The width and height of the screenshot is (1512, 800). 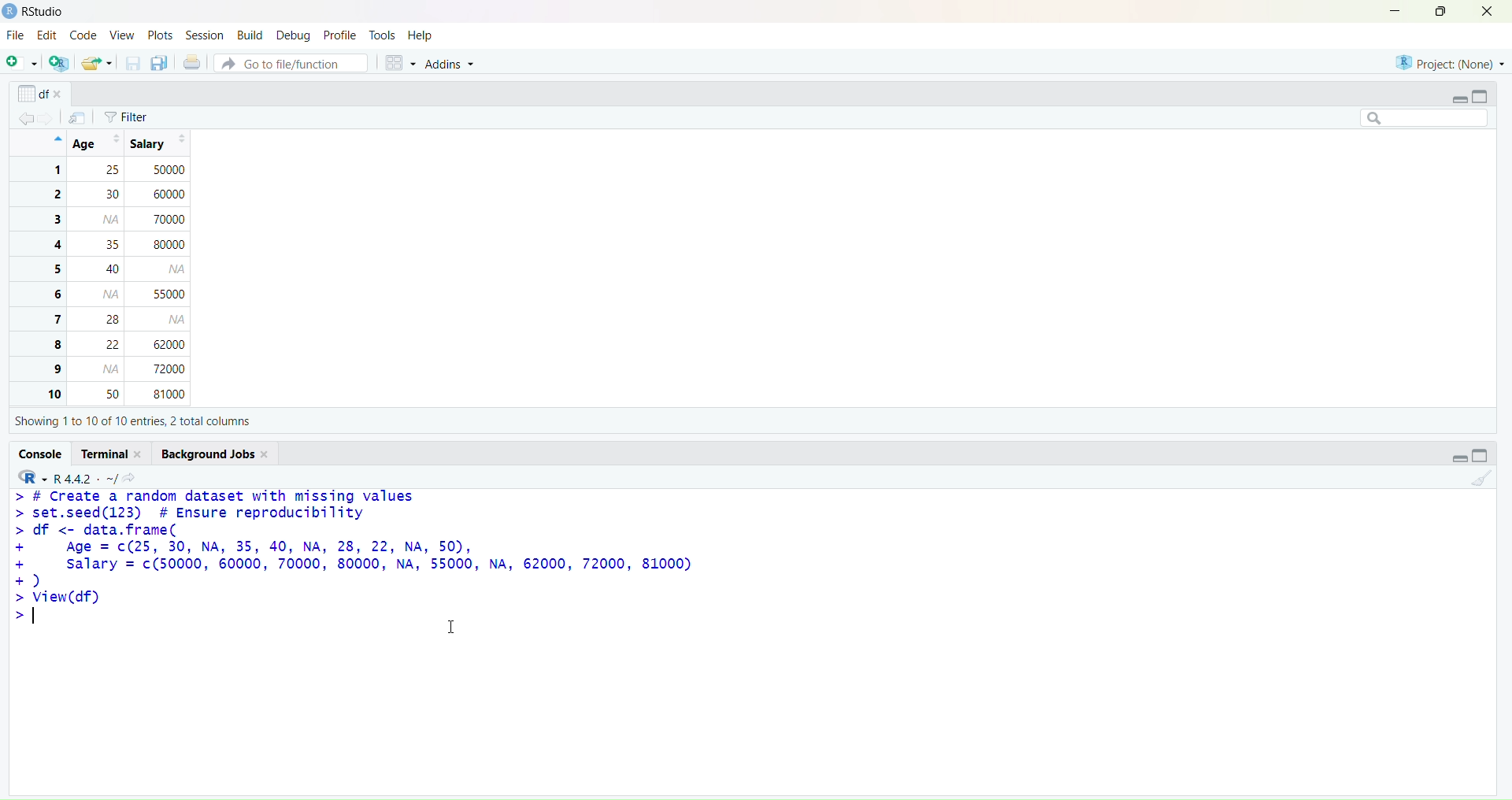 What do you see at coordinates (16, 36) in the screenshot?
I see `file` at bounding box center [16, 36].